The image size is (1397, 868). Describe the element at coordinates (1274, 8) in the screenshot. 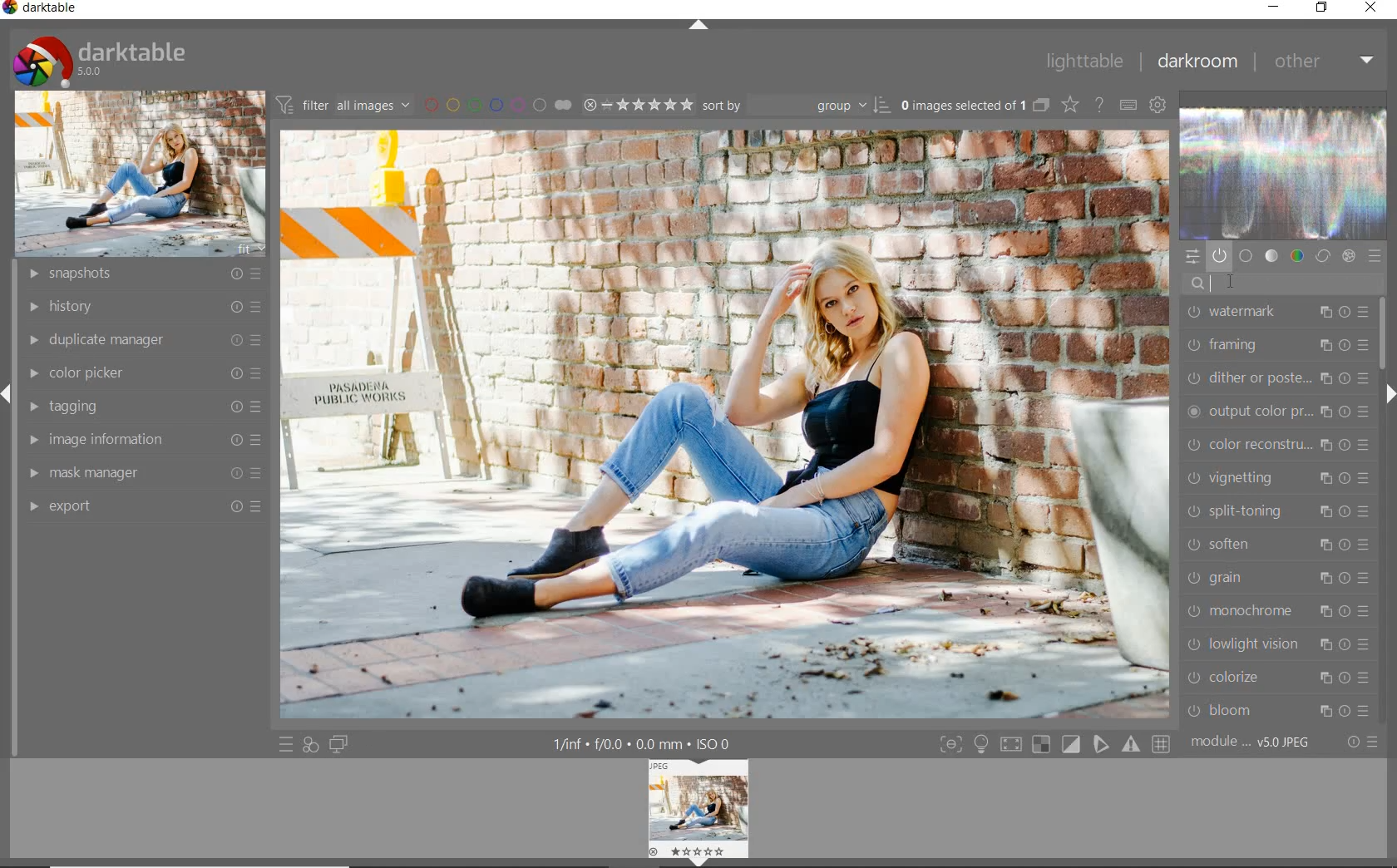

I see `minimize` at that location.